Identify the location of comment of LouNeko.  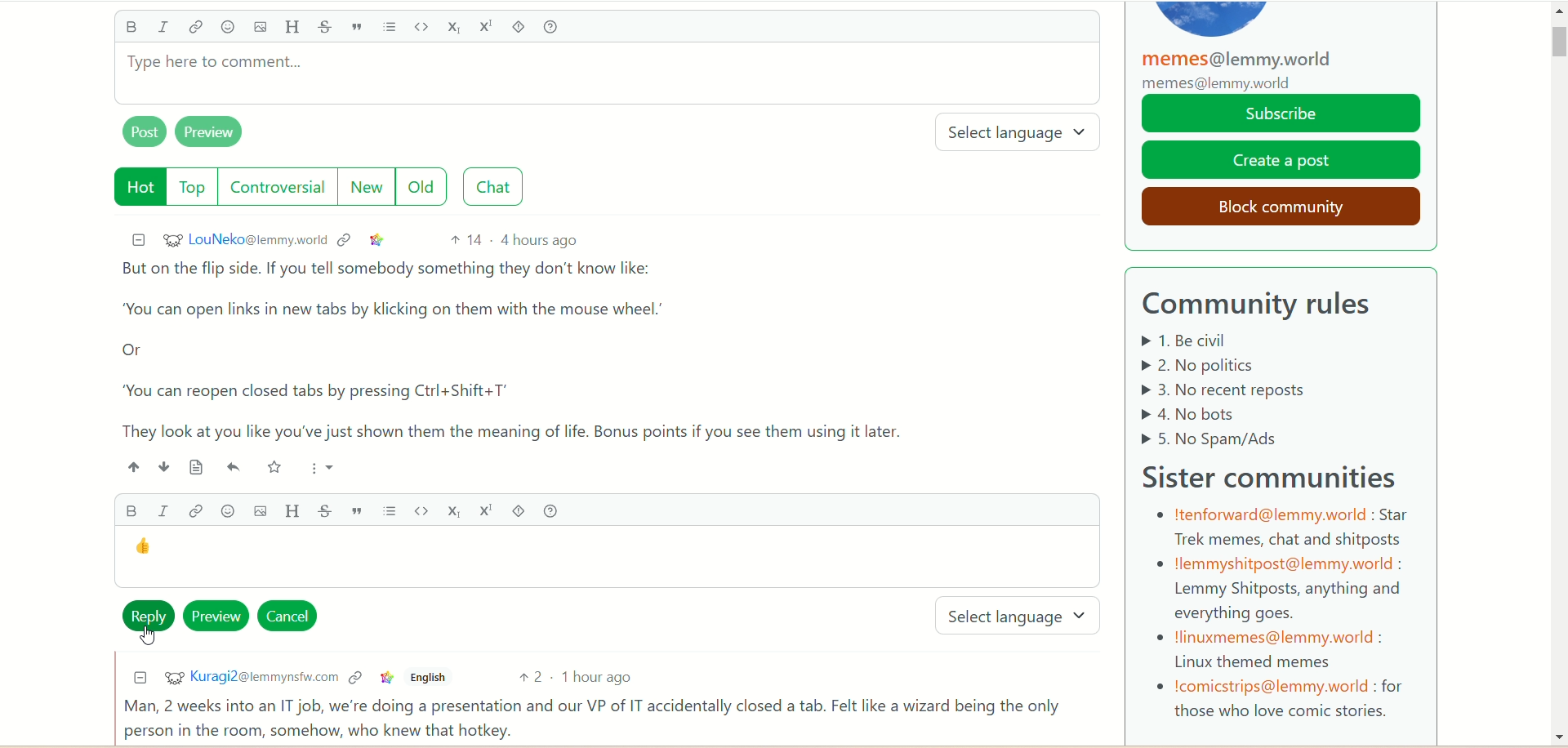
(528, 350).